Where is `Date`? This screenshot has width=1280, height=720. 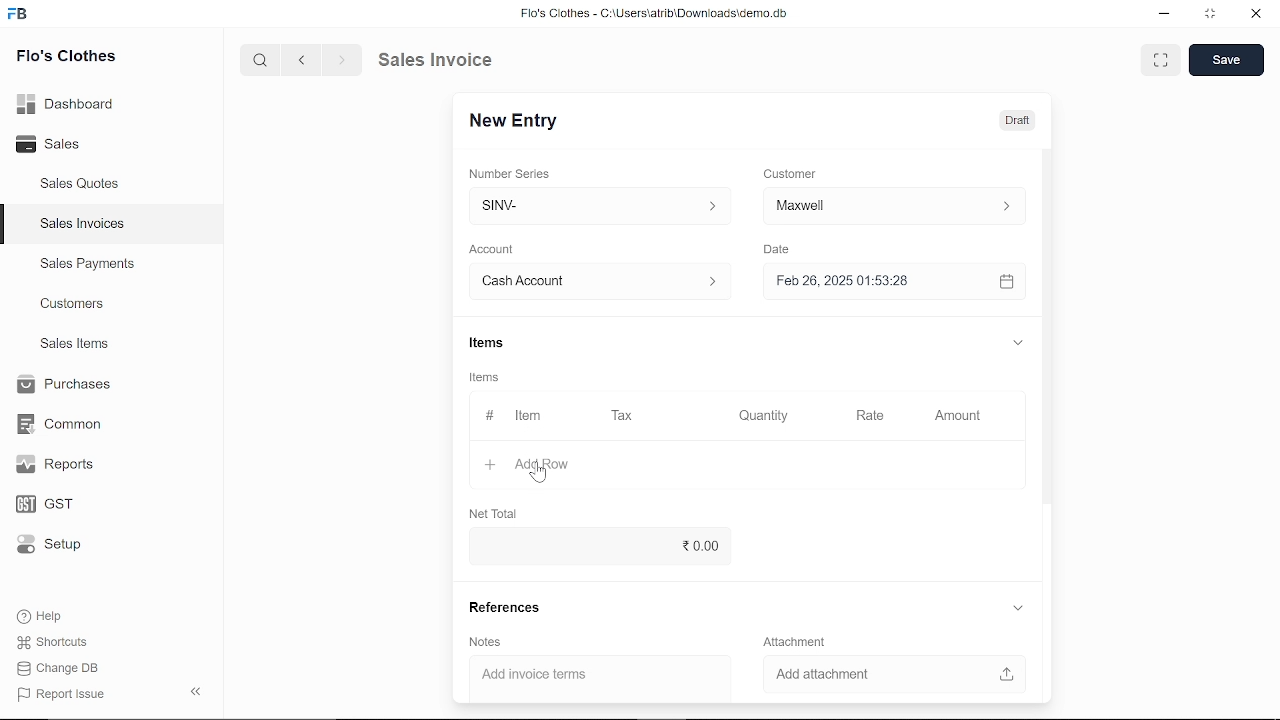
Date is located at coordinates (776, 250).